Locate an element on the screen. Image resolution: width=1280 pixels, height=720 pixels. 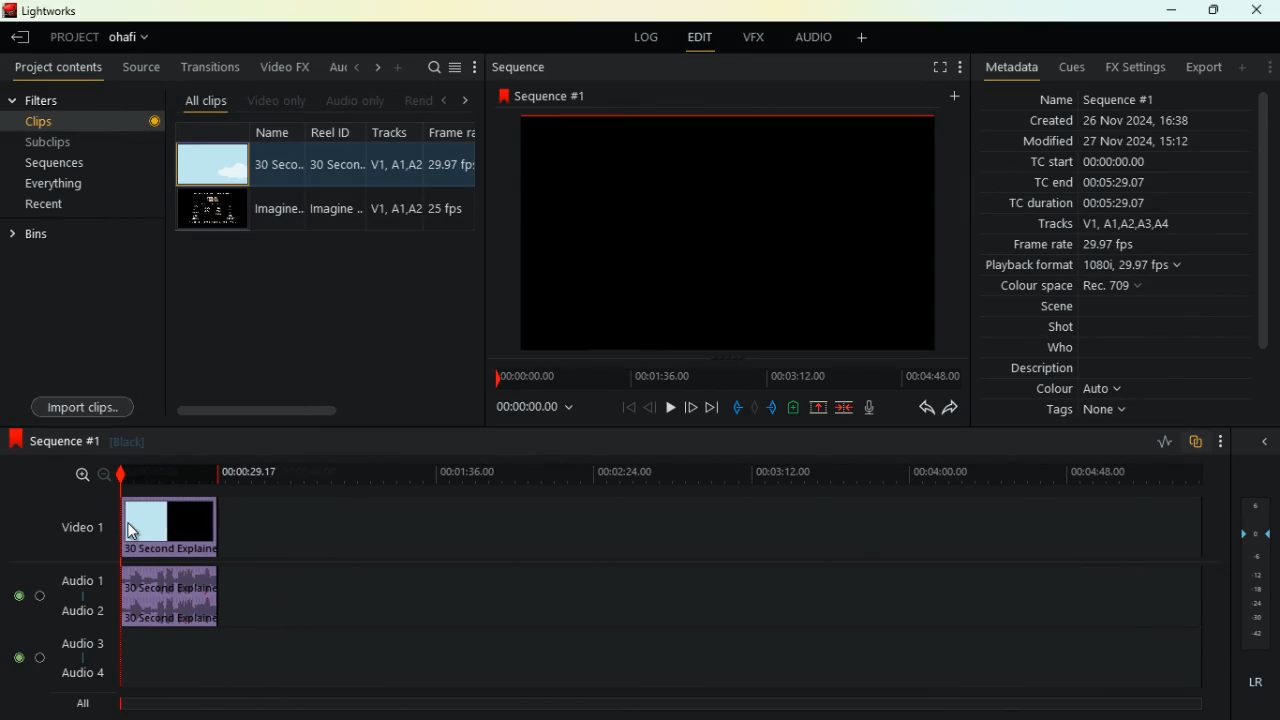
on is located at coordinates (26, 658).